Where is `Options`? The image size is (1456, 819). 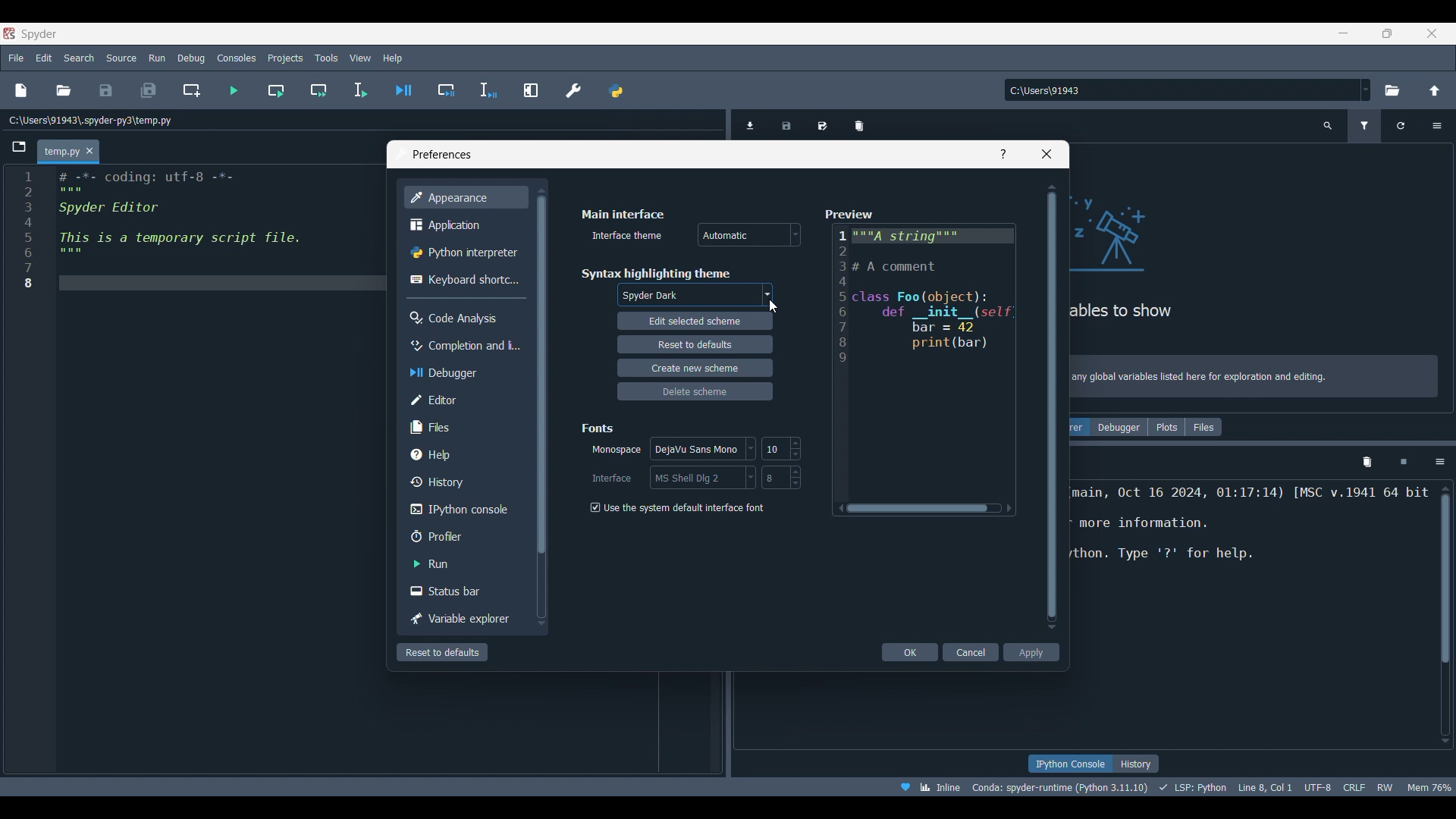 Options is located at coordinates (1436, 126).